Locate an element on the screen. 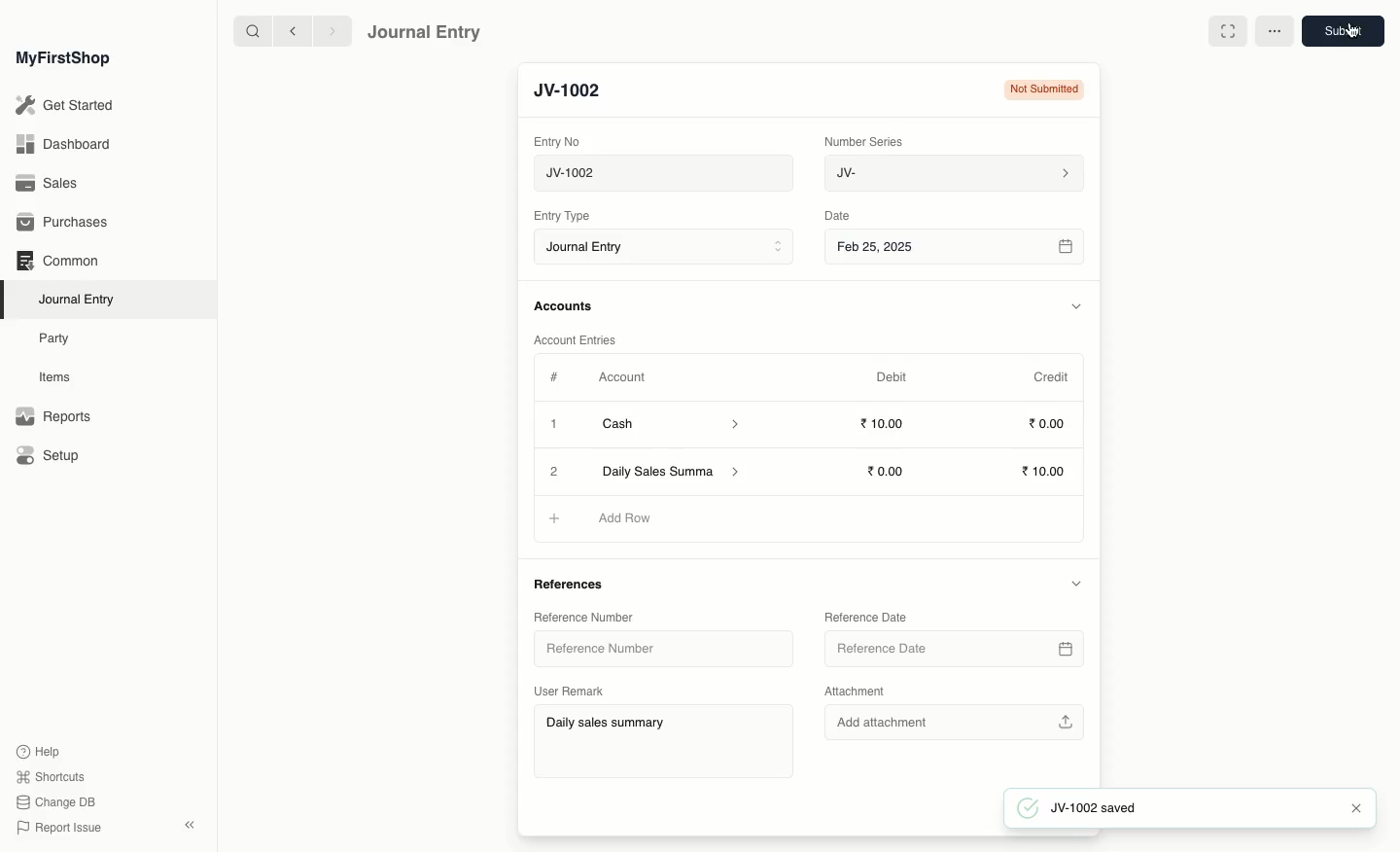 This screenshot has width=1400, height=852. backward < is located at coordinates (288, 31).